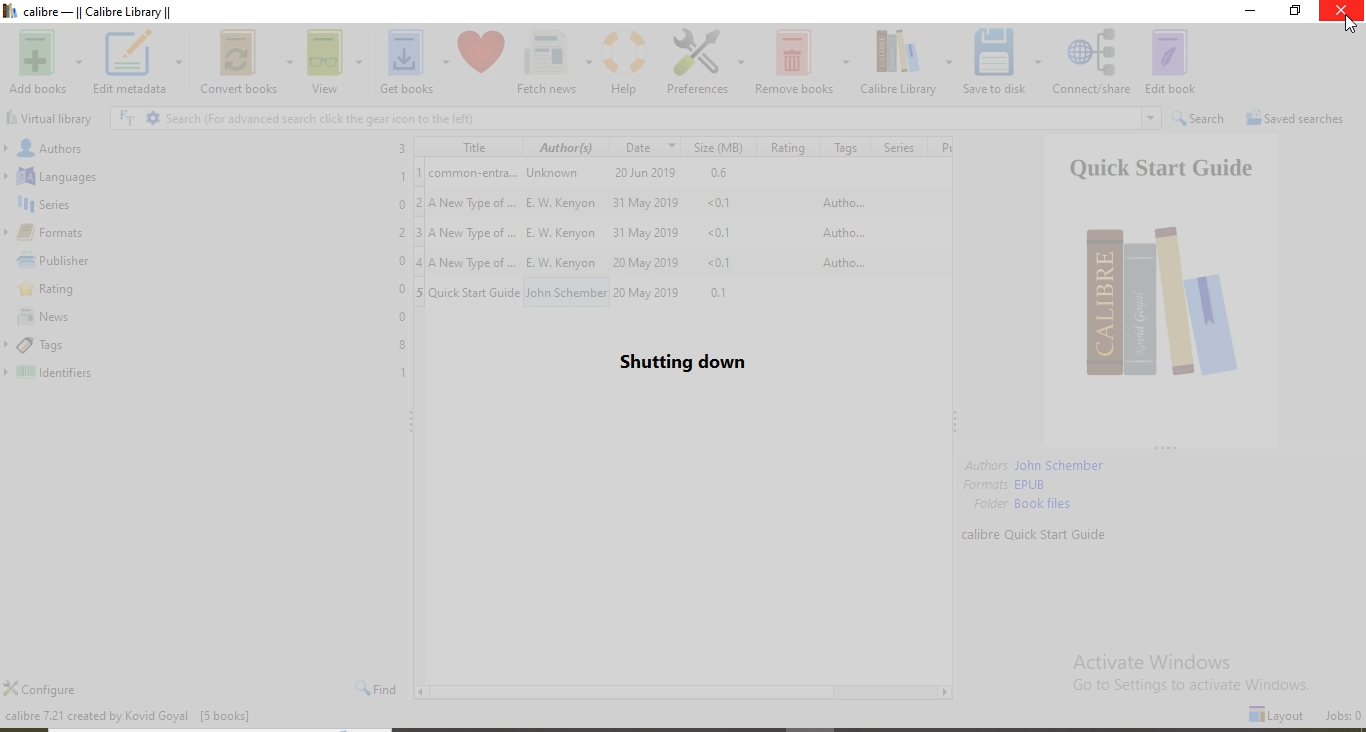  Describe the element at coordinates (555, 63) in the screenshot. I see `Fetch news` at that location.